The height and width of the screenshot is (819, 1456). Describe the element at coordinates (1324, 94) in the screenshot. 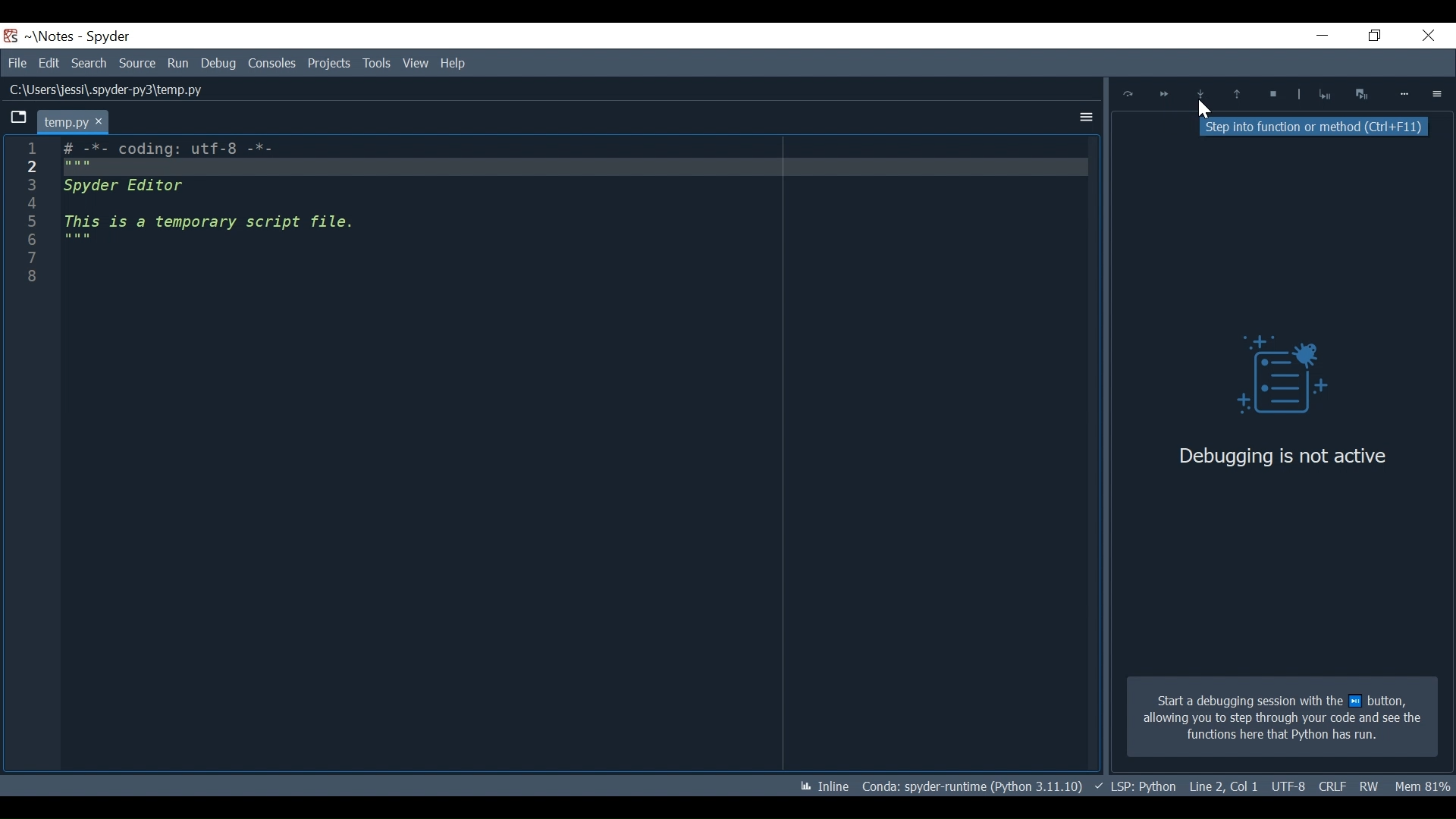

I see `Stop Debugging` at that location.